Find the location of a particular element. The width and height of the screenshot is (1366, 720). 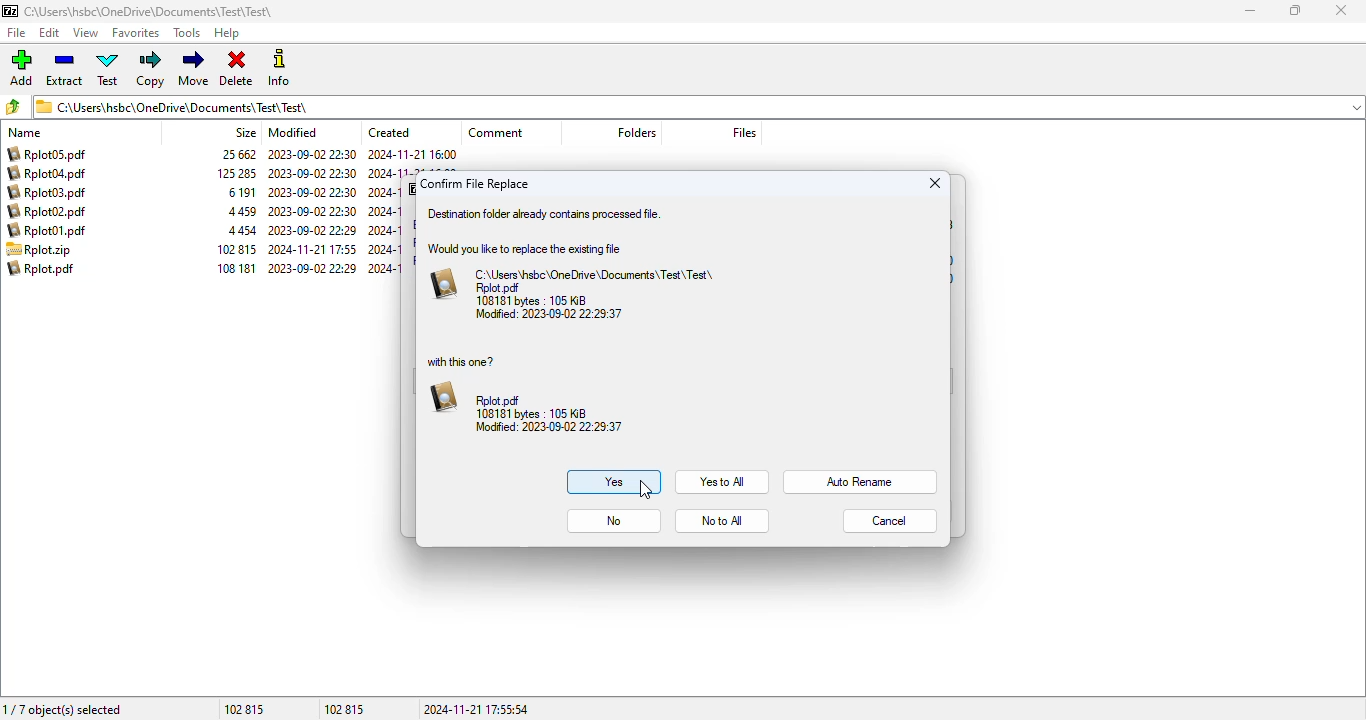

delete is located at coordinates (236, 69).